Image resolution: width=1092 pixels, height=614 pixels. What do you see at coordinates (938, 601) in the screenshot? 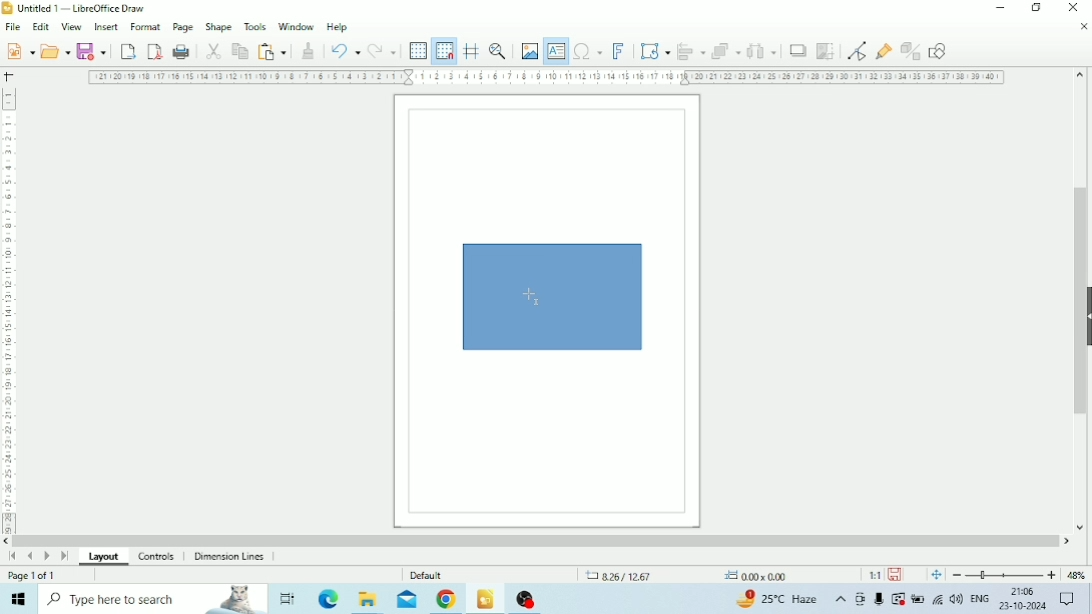
I see `Internet` at bounding box center [938, 601].